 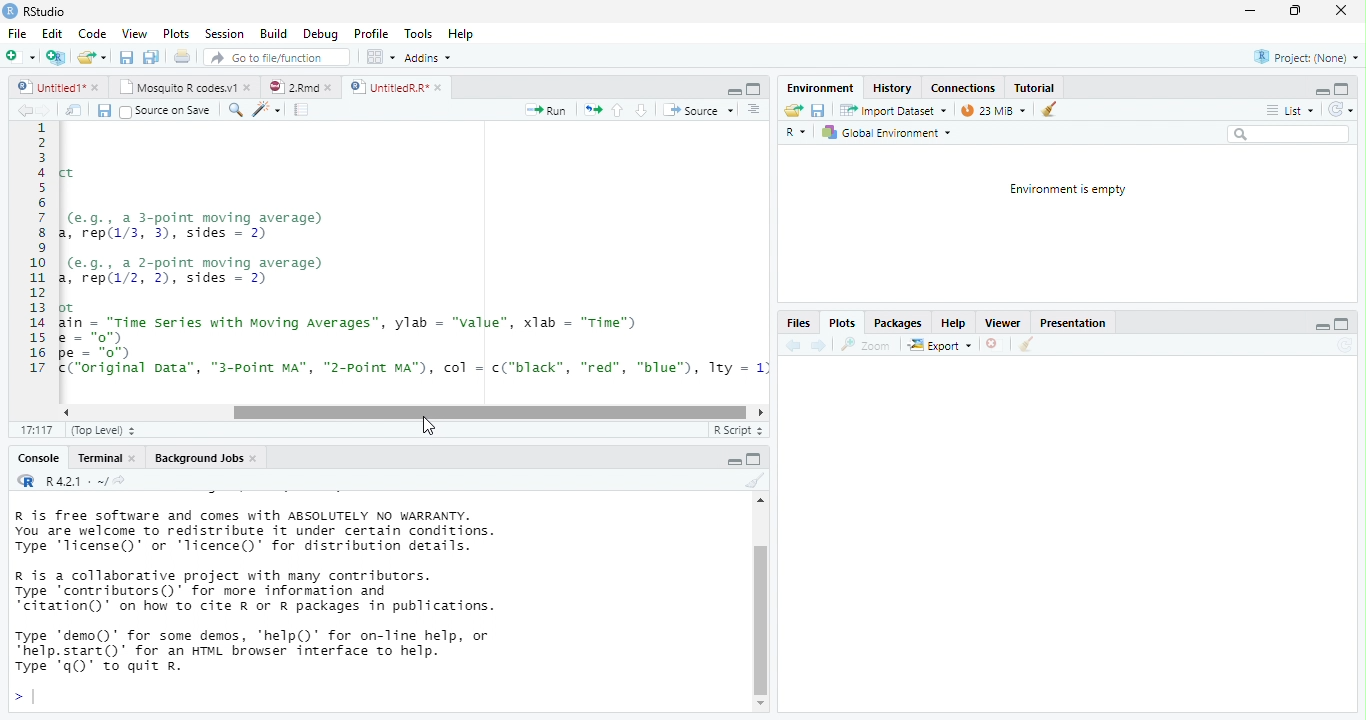 I want to click on zoom, so click(x=869, y=345).